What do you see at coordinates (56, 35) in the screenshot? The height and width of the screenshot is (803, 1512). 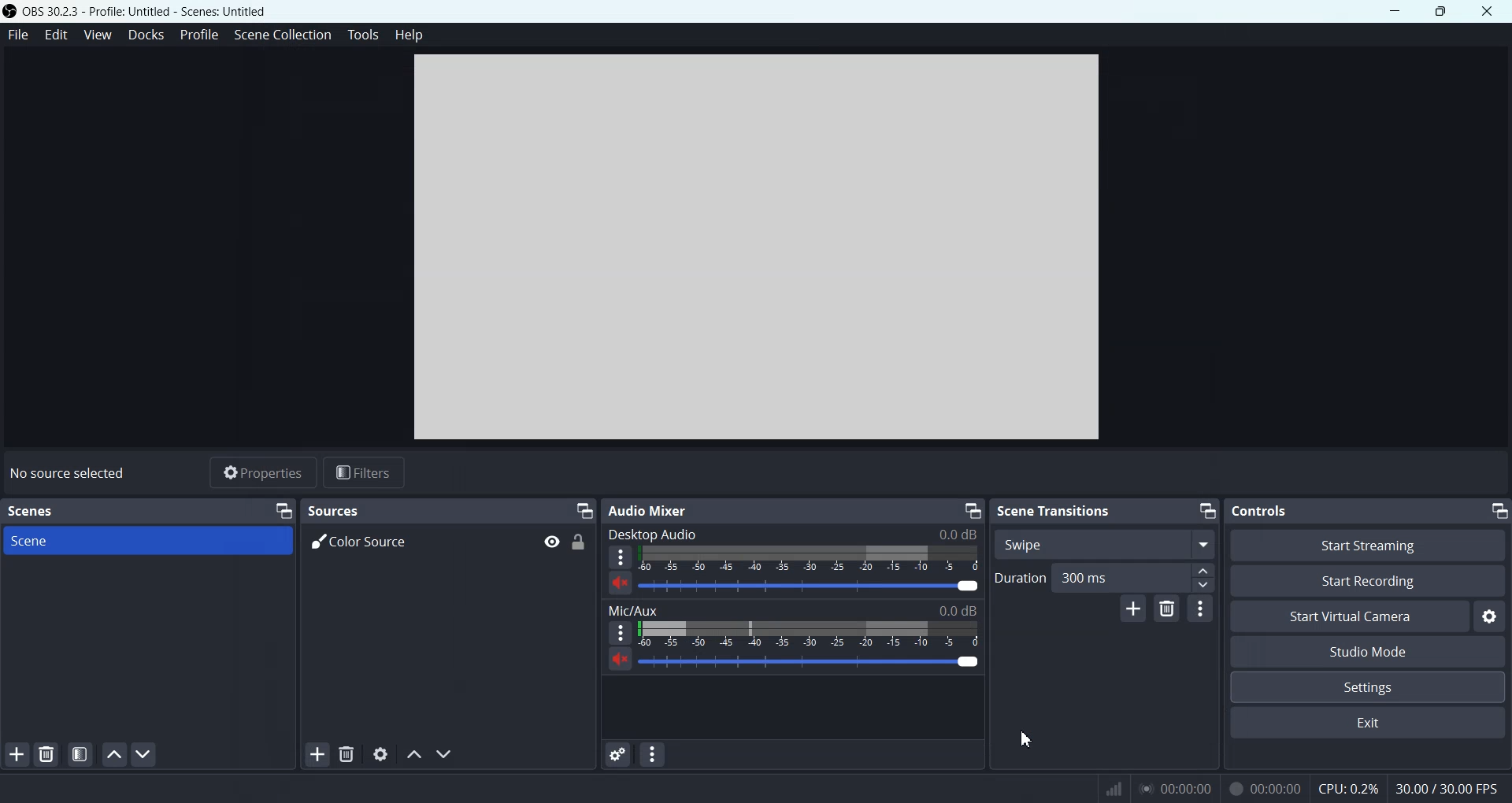 I see `Edit` at bounding box center [56, 35].